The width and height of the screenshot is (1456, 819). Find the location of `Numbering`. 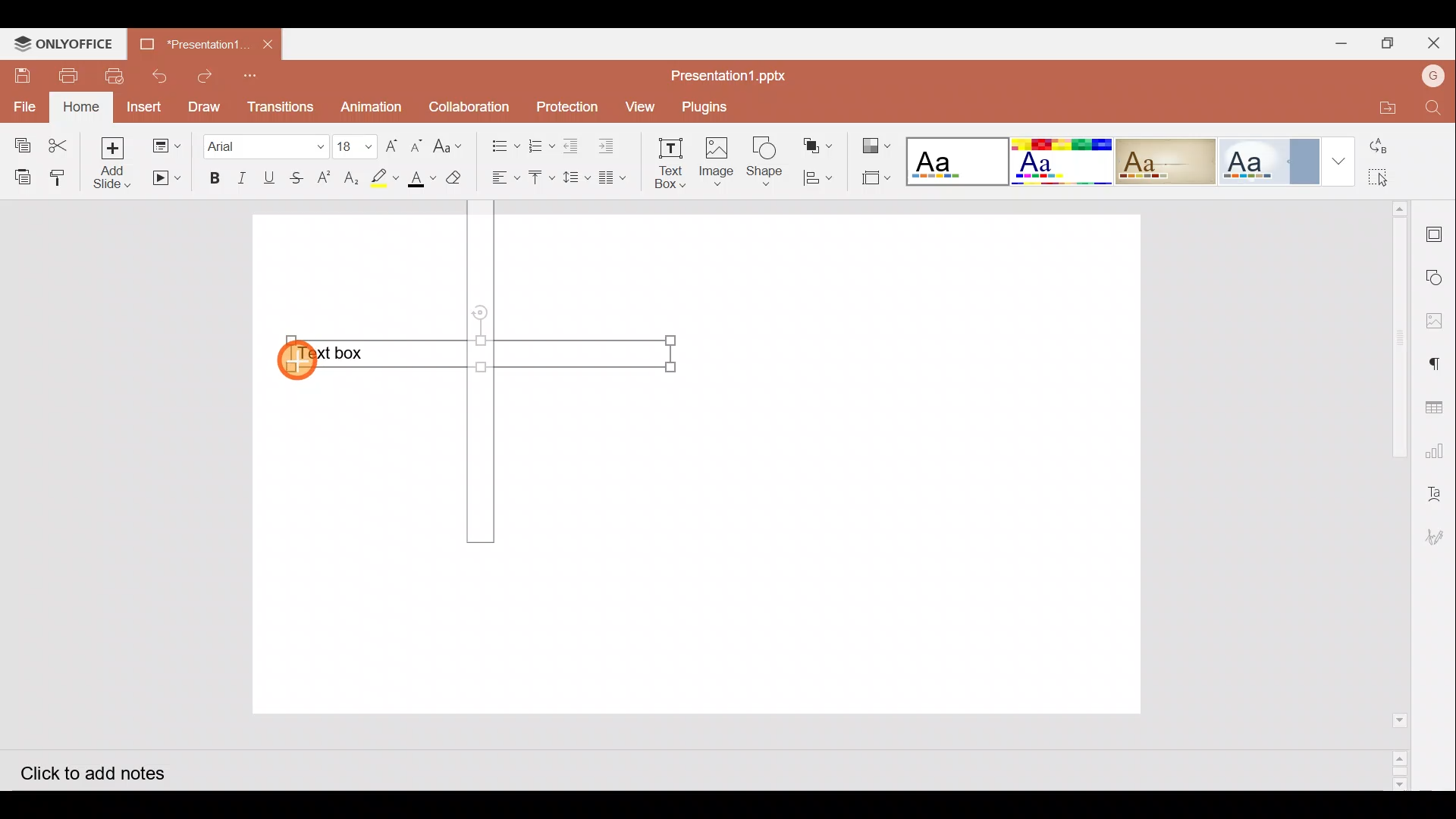

Numbering is located at coordinates (541, 142).